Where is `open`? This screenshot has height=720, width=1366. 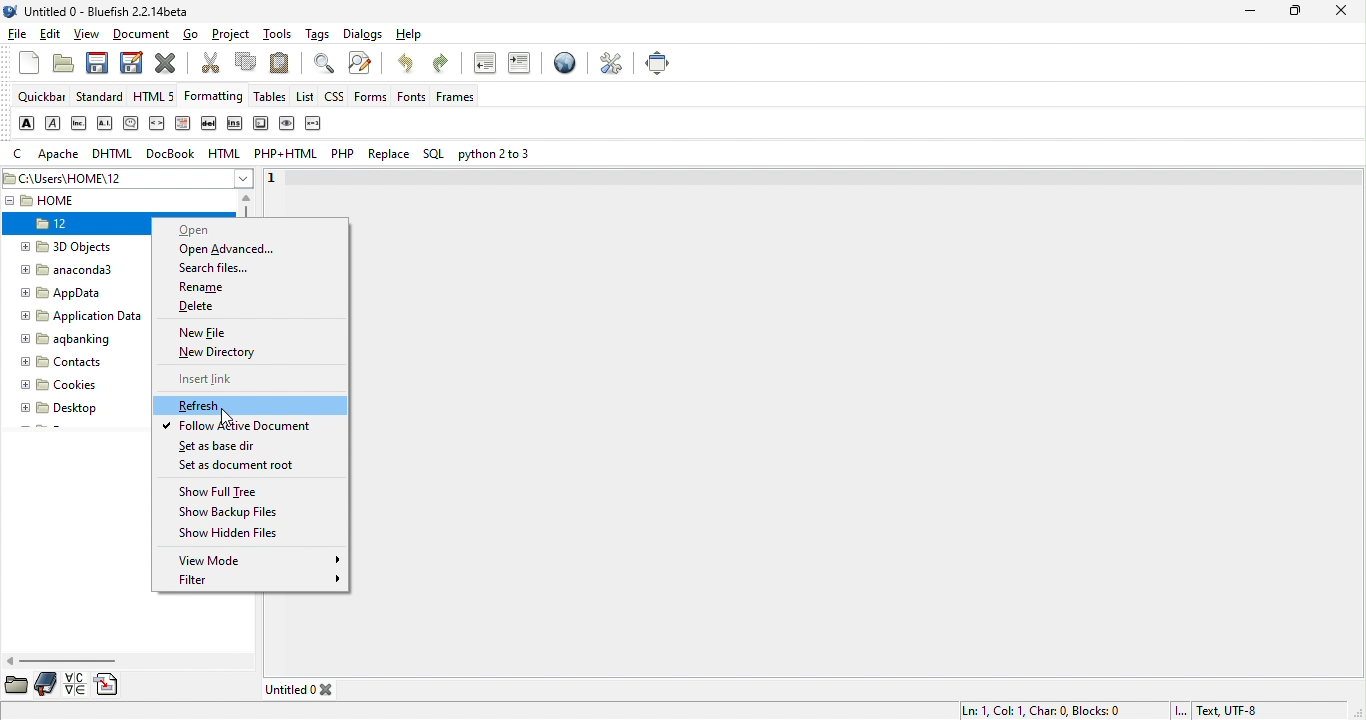 open is located at coordinates (61, 64).